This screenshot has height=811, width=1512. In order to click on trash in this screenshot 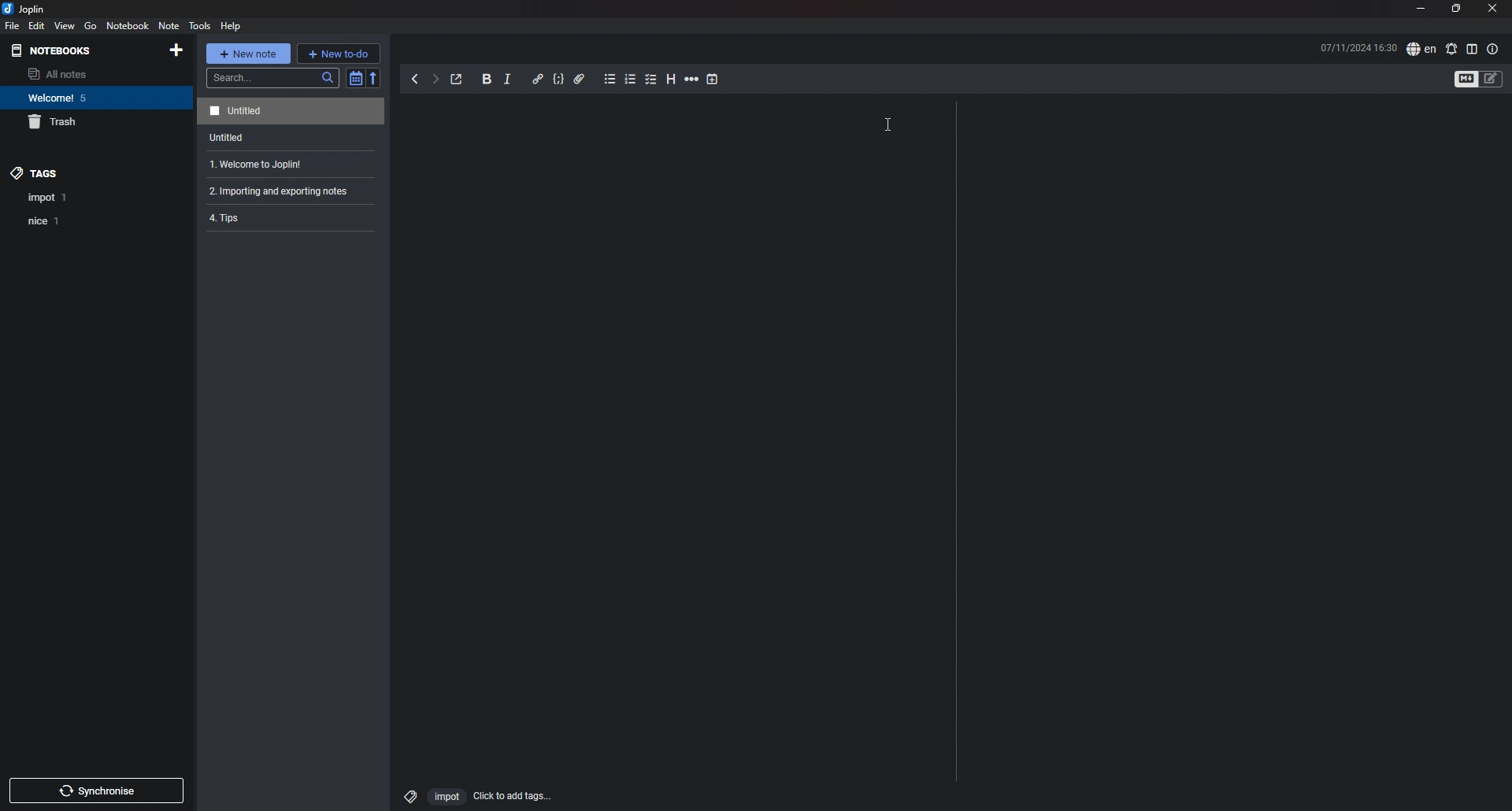, I will do `click(83, 123)`.